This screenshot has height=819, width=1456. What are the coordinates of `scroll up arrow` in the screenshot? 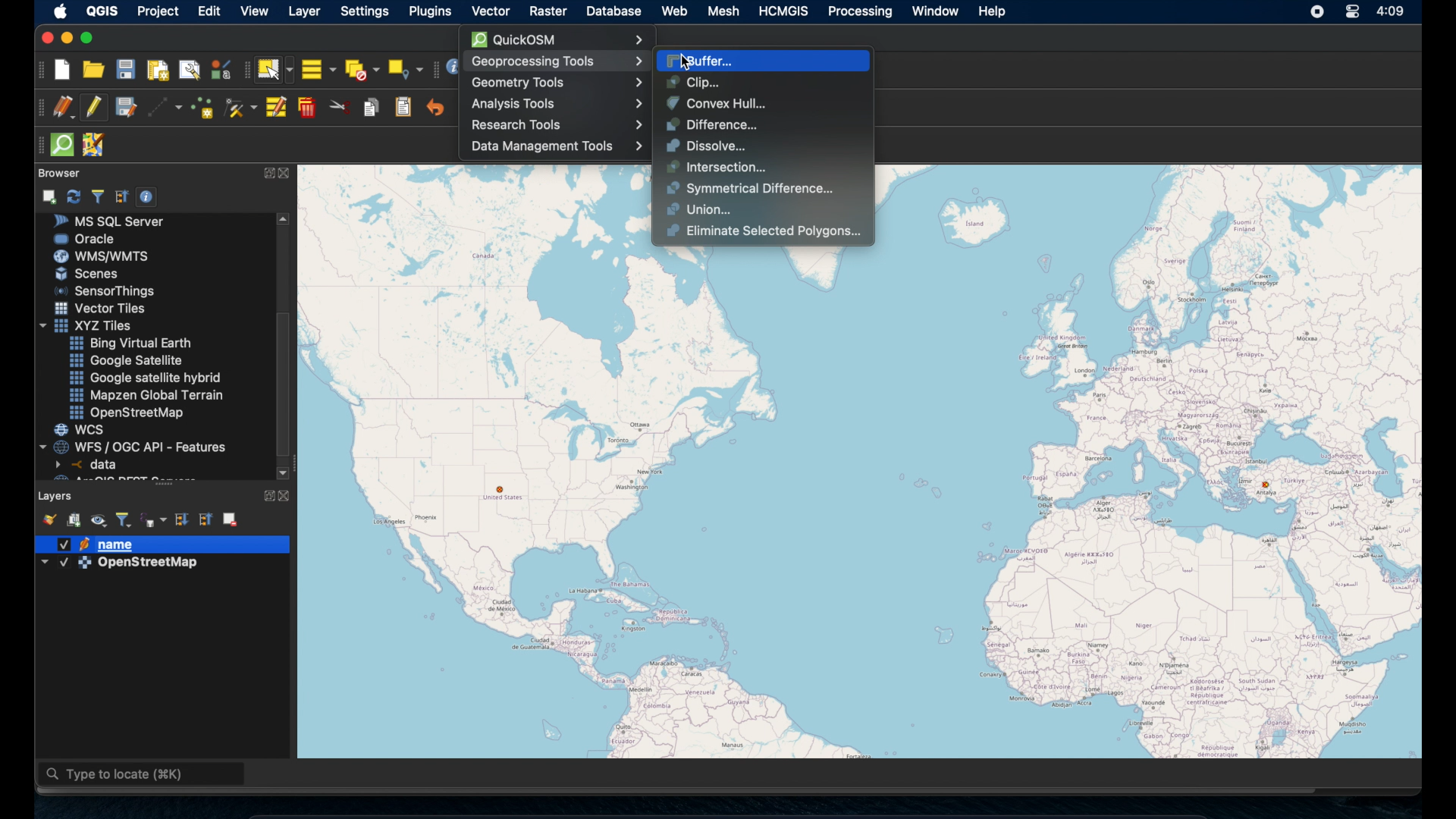 It's located at (285, 218).